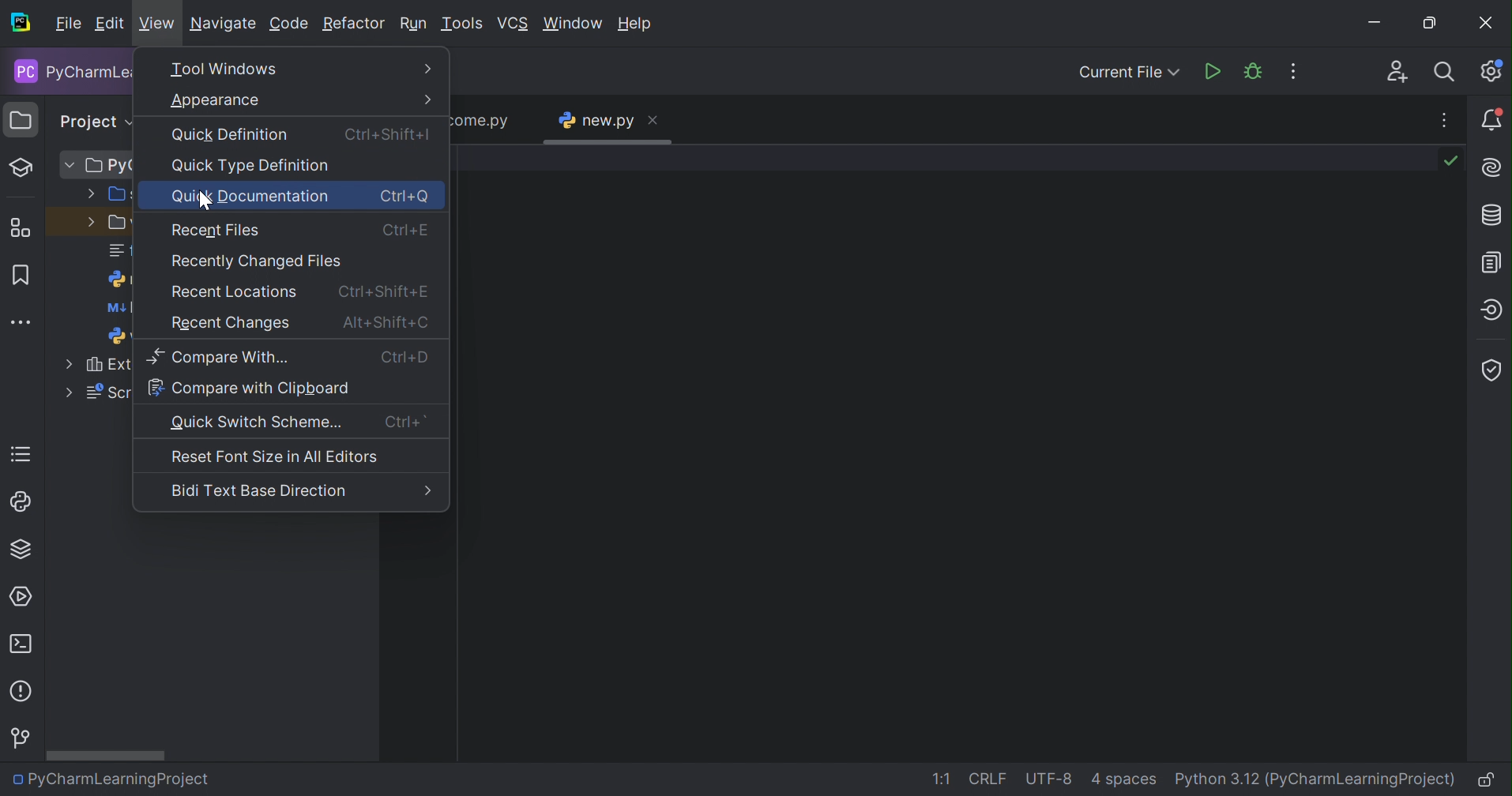  Describe the element at coordinates (107, 223) in the screenshot. I see `venv` at that location.